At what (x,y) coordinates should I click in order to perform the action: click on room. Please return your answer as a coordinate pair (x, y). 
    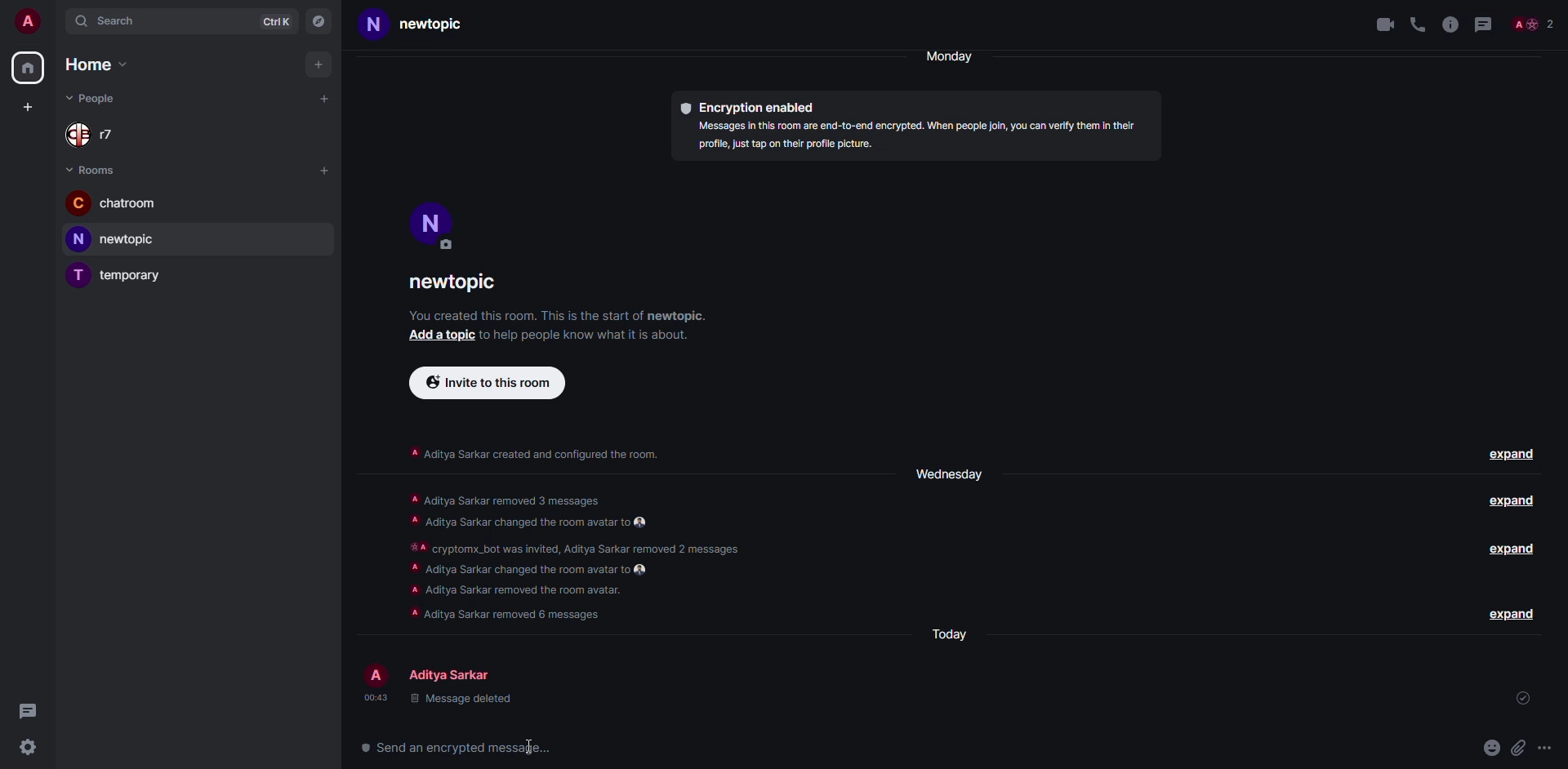
    Looking at the image, I should click on (120, 274).